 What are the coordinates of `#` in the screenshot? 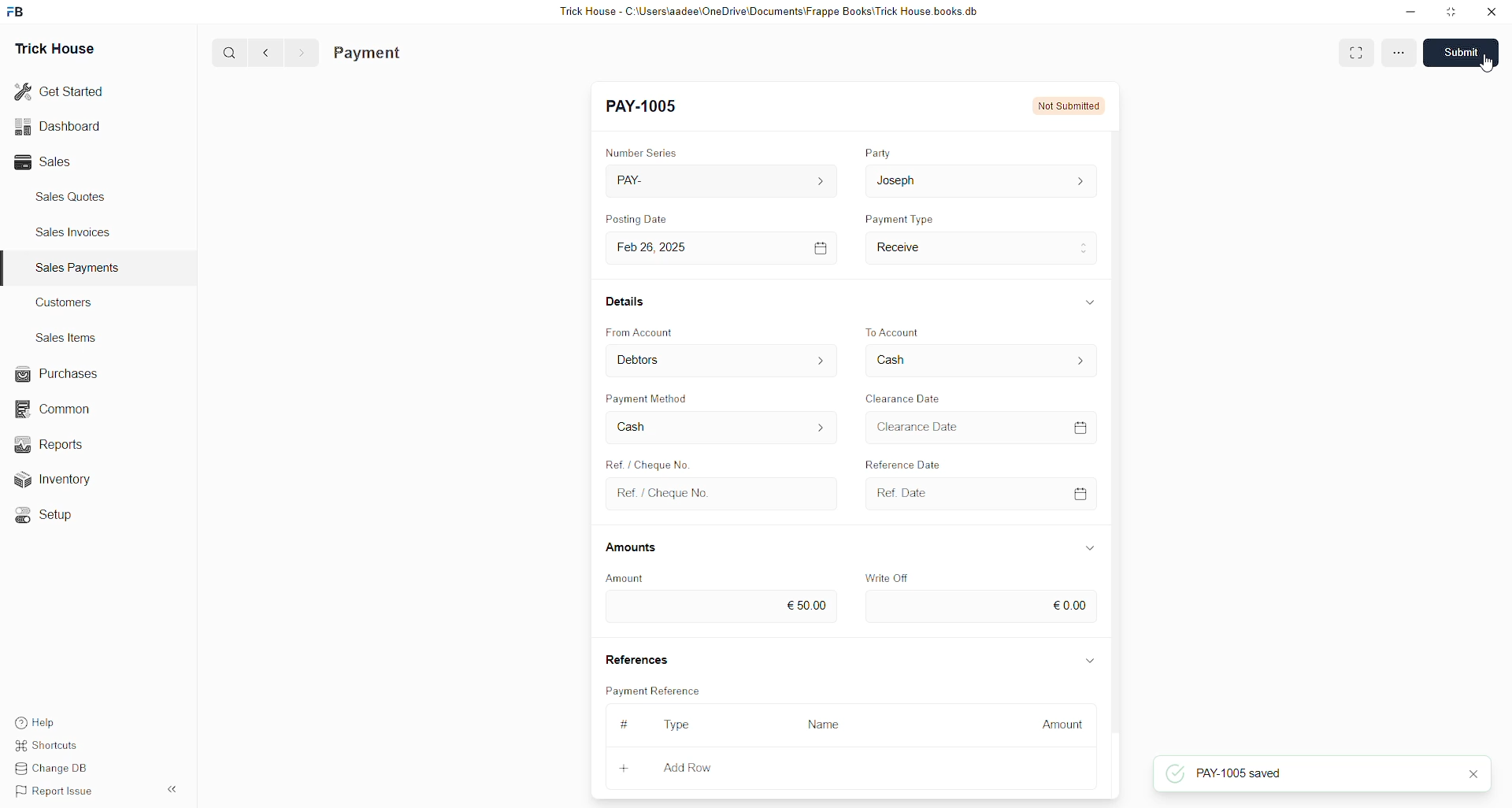 It's located at (625, 724).